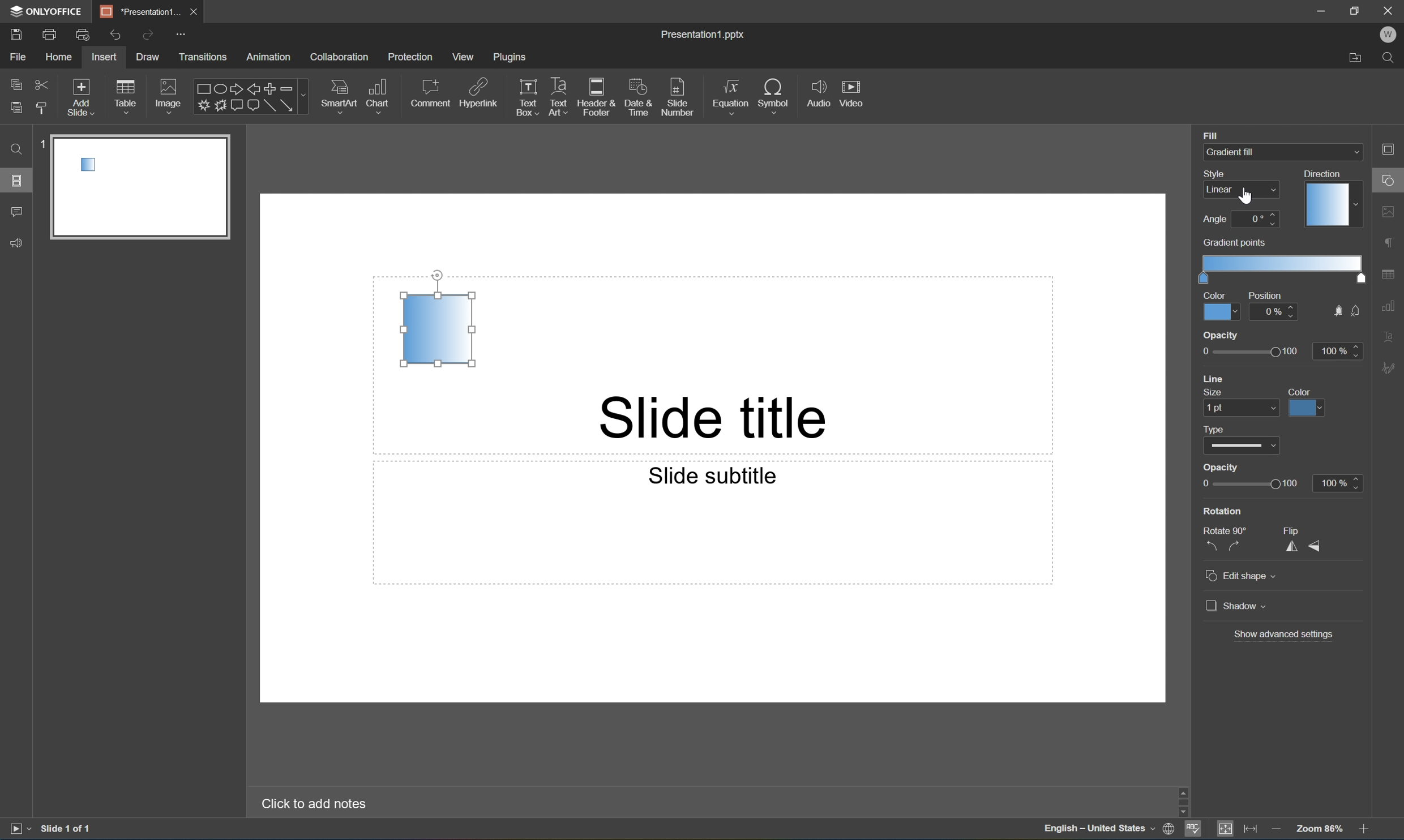 This screenshot has width=1404, height=840. Describe the element at coordinates (1279, 349) in the screenshot. I see `opacity` at that location.